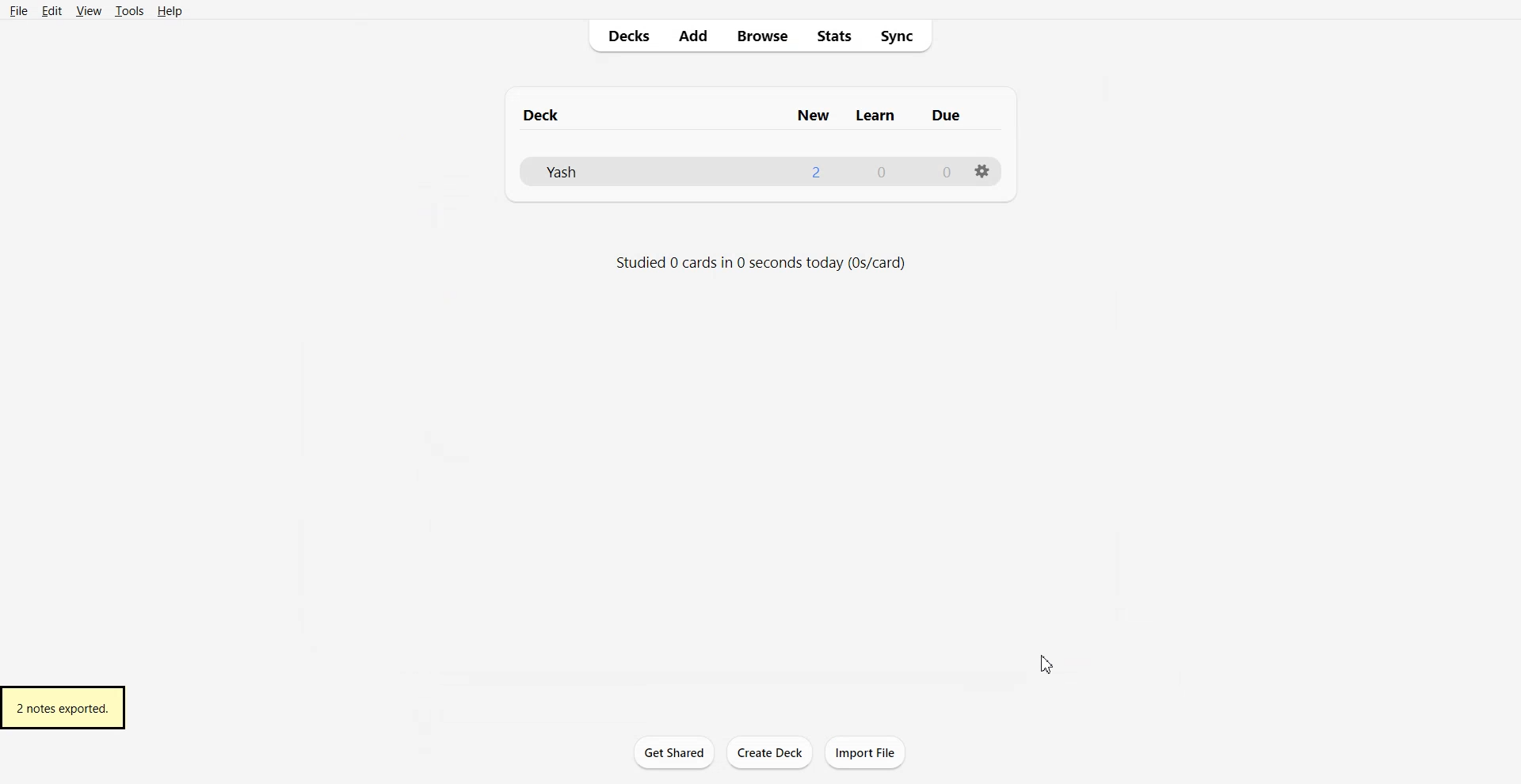 The width and height of the screenshot is (1521, 784). What do you see at coordinates (770, 753) in the screenshot?
I see `Create Deck` at bounding box center [770, 753].